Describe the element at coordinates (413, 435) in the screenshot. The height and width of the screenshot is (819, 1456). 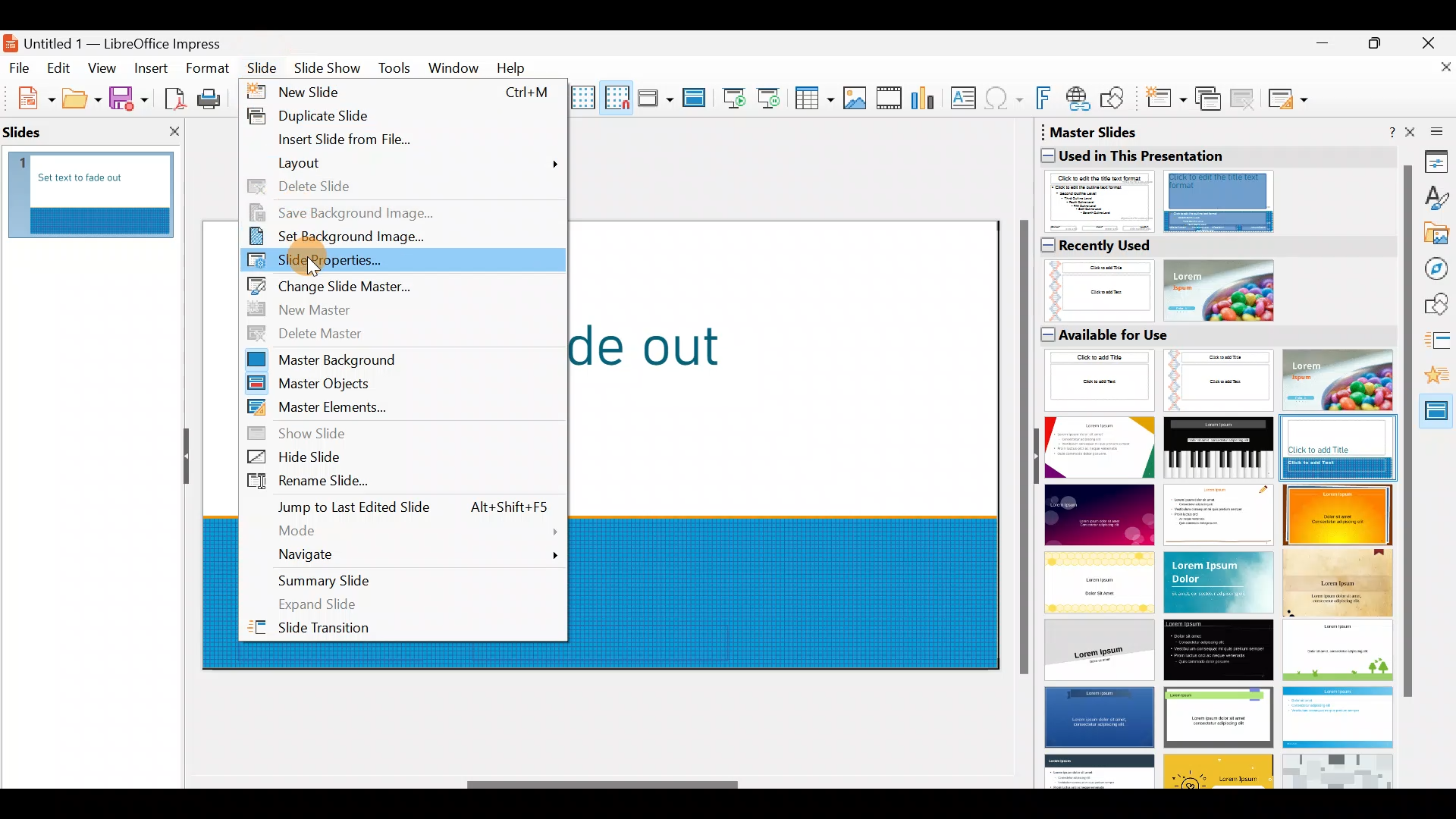
I see `Show slide` at that location.